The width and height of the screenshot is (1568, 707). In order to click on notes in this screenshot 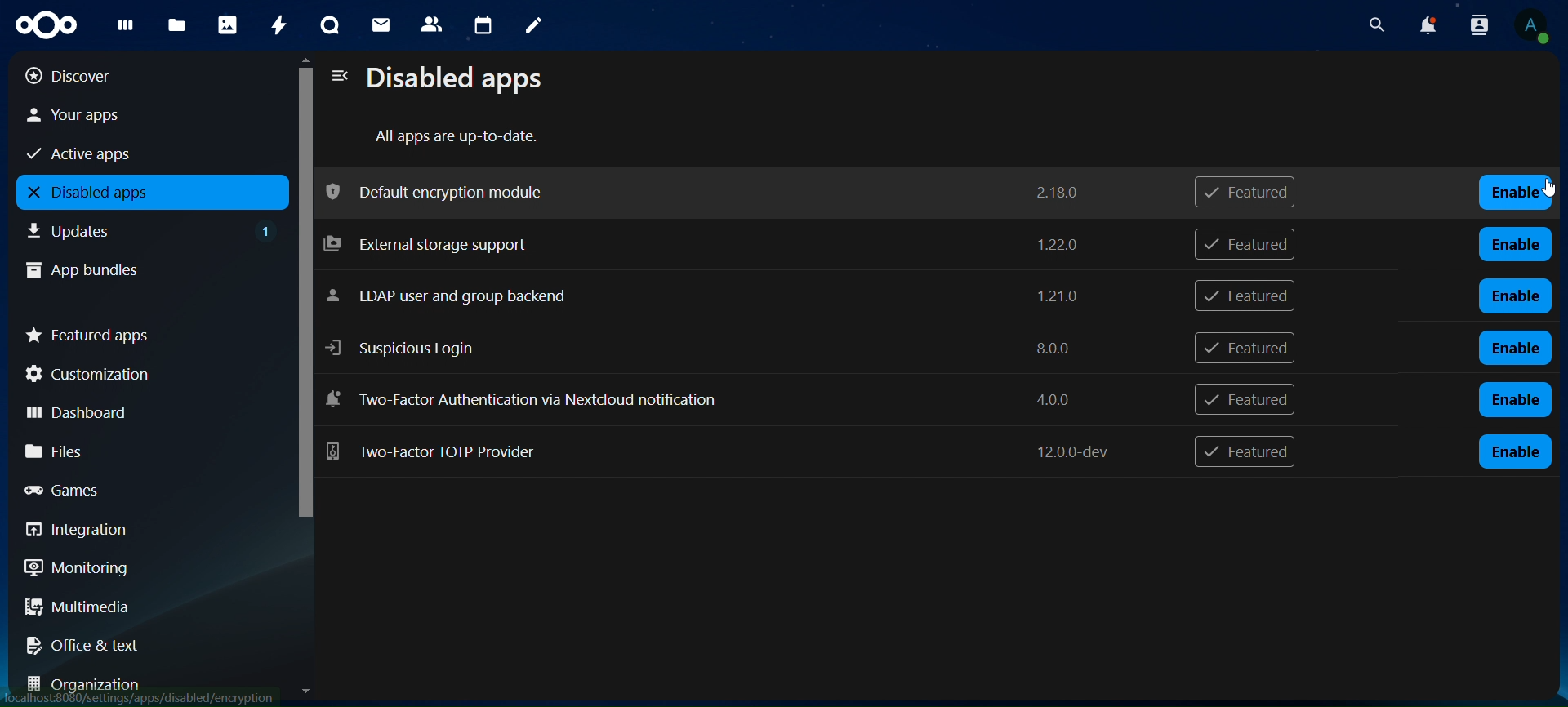, I will do `click(529, 23)`.